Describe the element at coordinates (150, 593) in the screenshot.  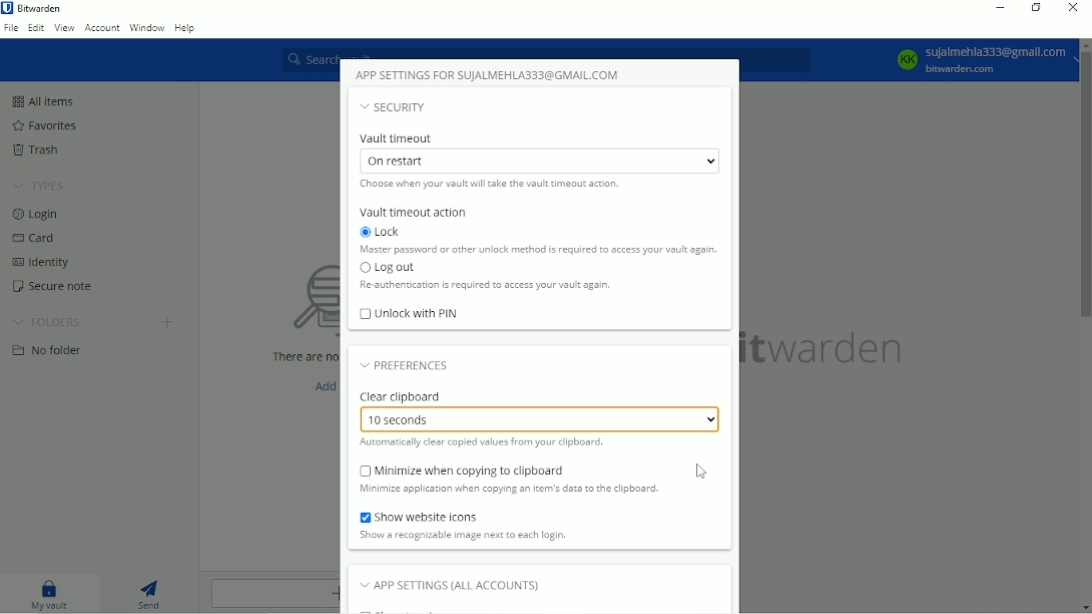
I see `Send` at that location.